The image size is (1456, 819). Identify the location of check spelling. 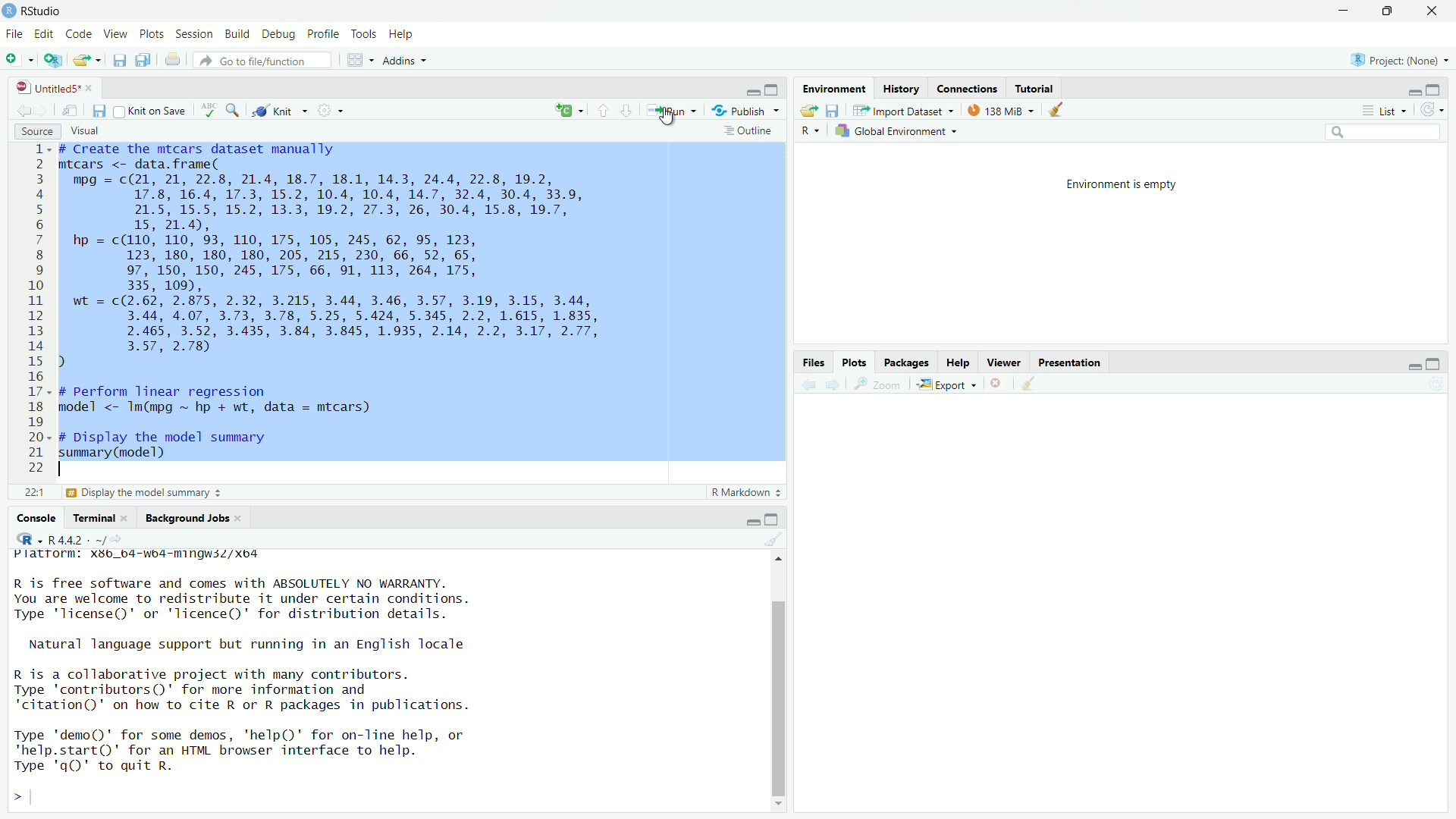
(208, 111).